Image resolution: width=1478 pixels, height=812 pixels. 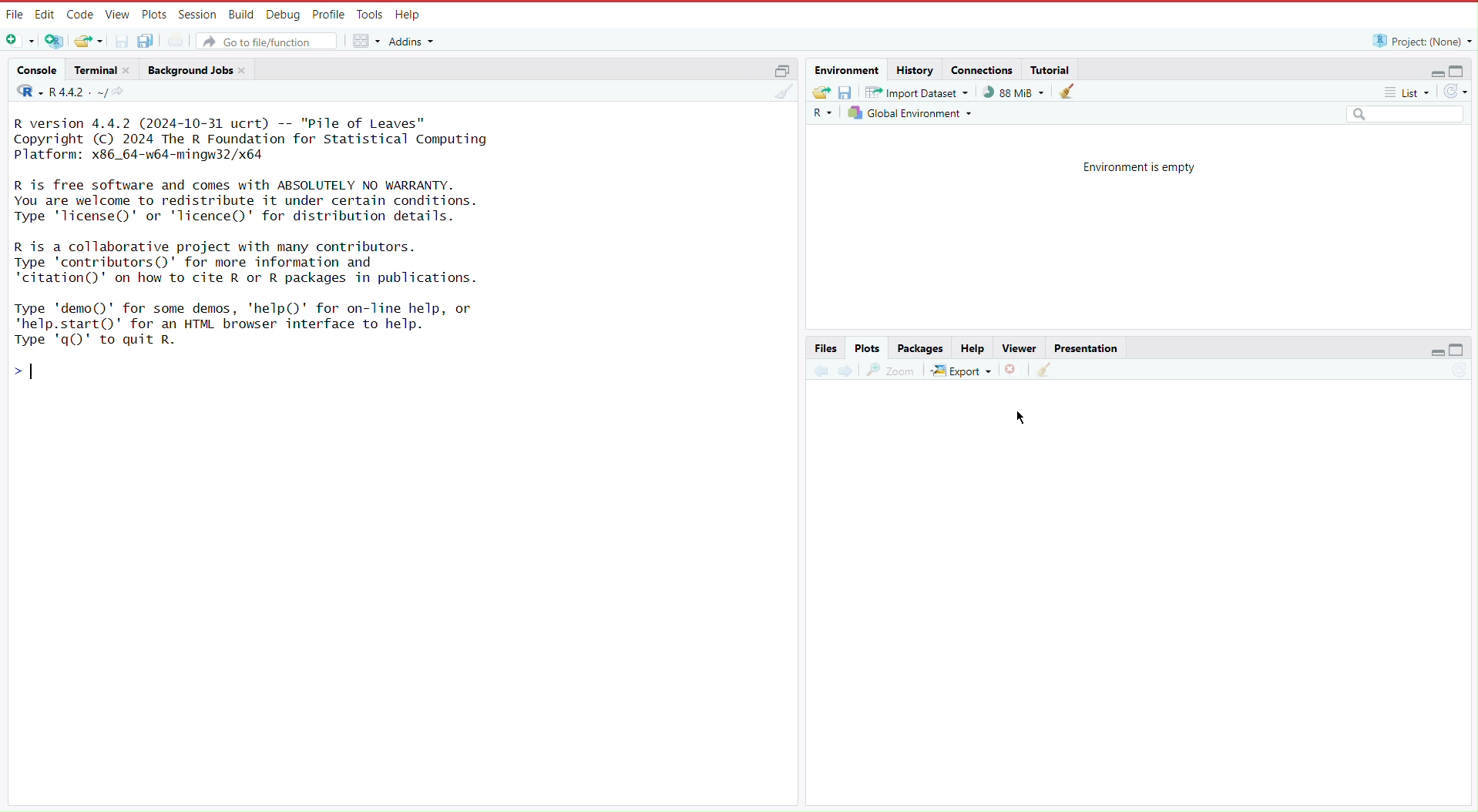 I want to click on Save current document (Ctrl + S), so click(x=121, y=40).